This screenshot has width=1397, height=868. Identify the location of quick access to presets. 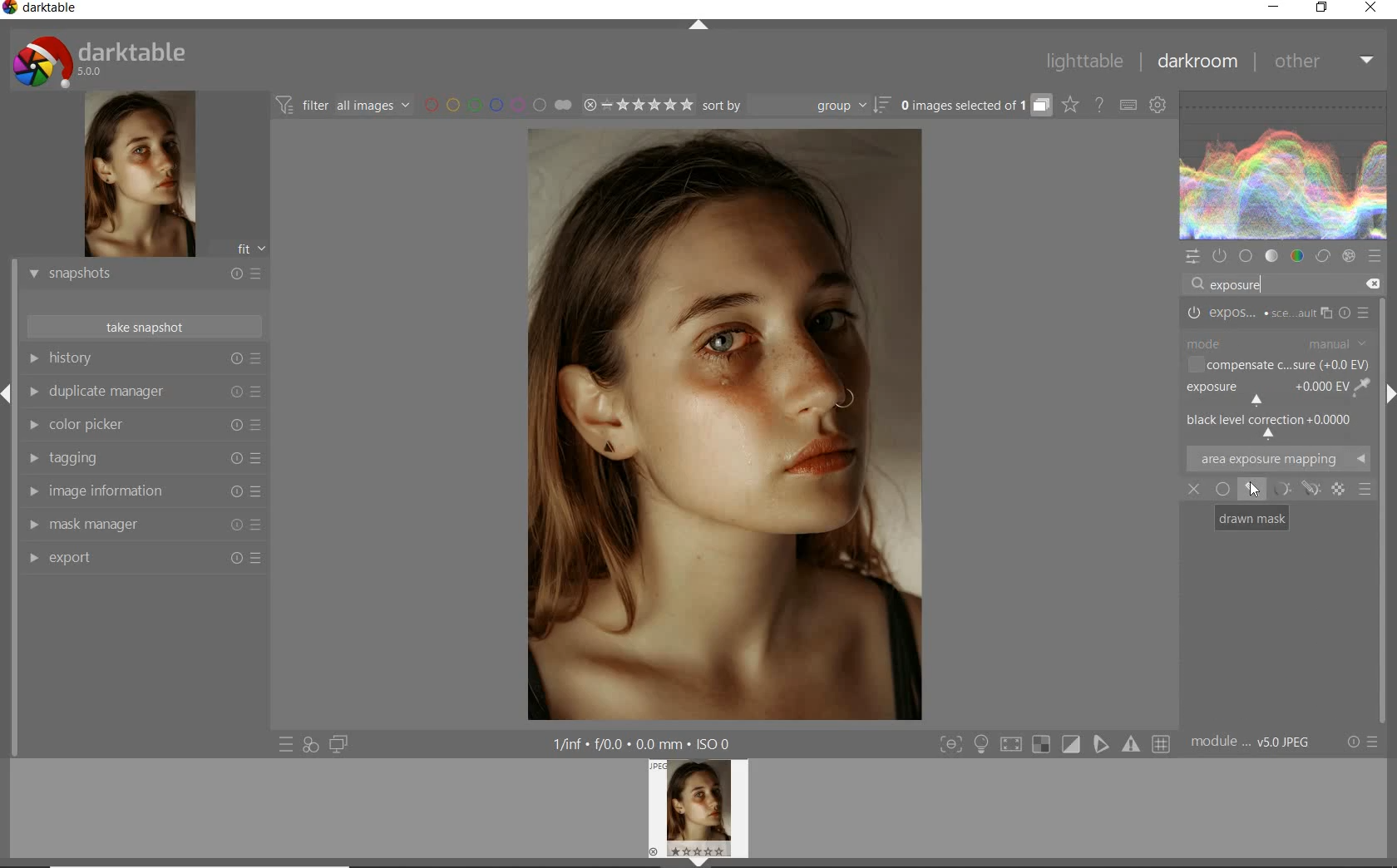
(287, 744).